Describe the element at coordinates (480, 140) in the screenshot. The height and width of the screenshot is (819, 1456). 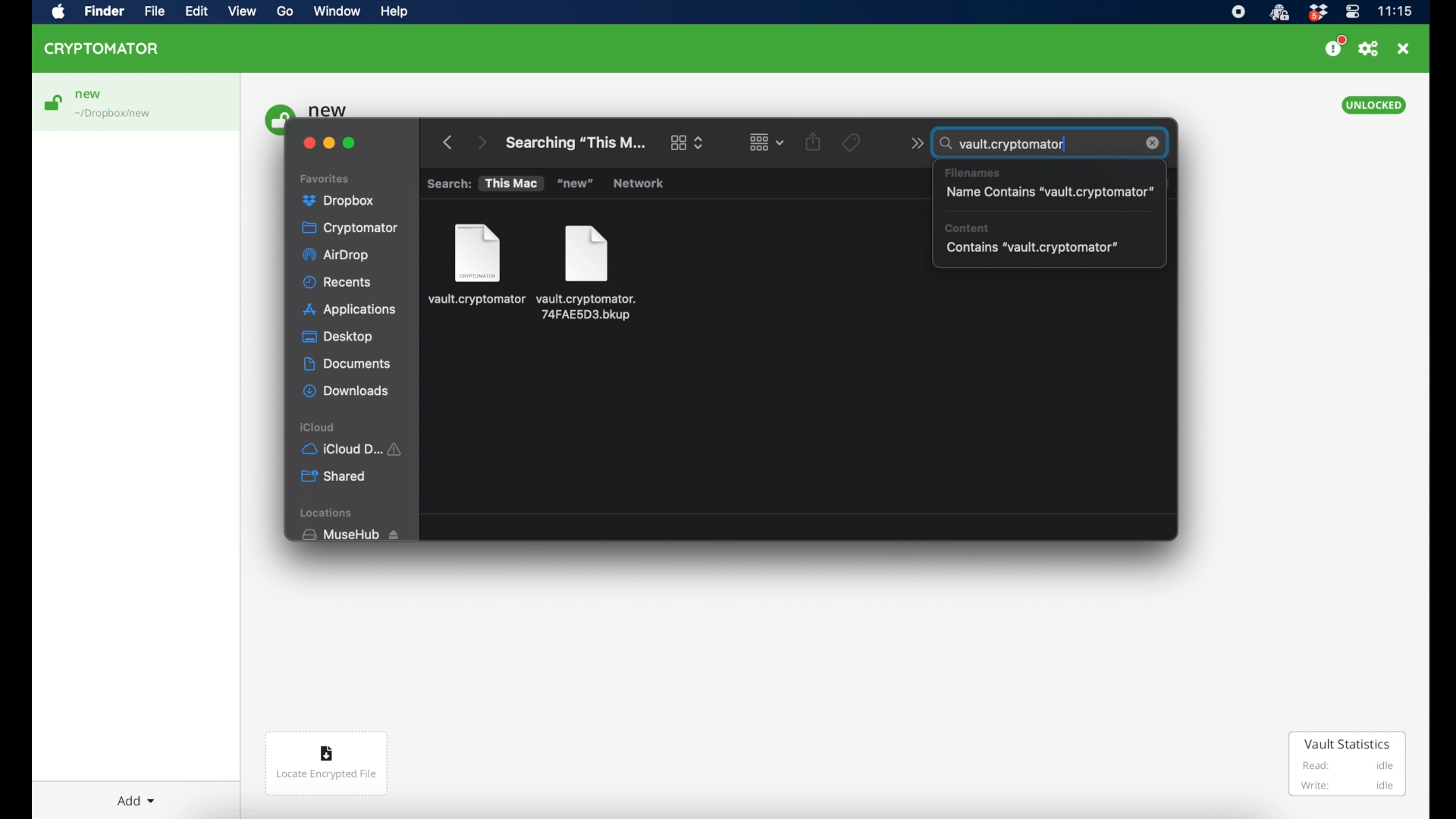
I see `next` at that location.